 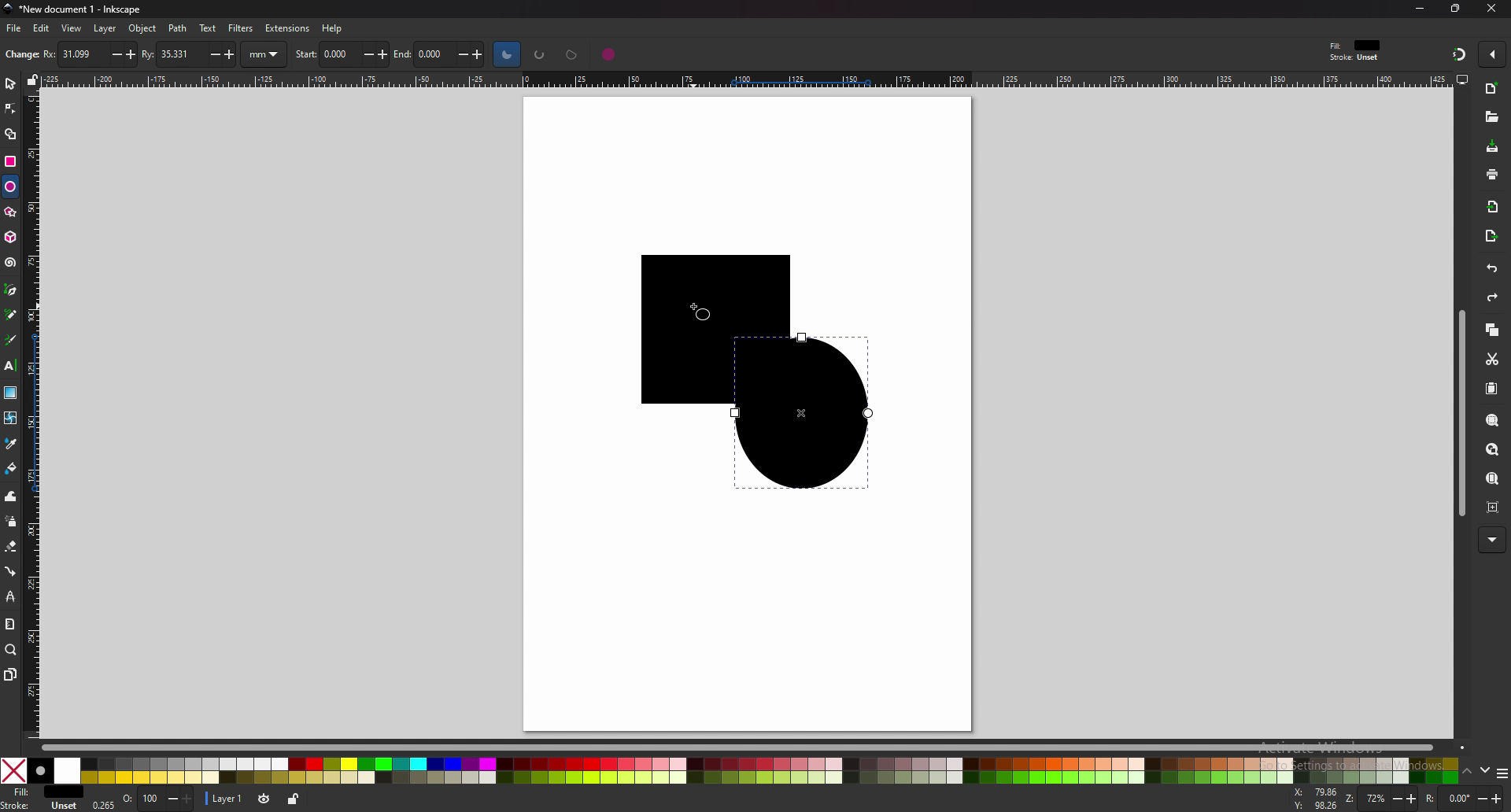 I want to click on x and y coordinates, so click(x=1315, y=798).